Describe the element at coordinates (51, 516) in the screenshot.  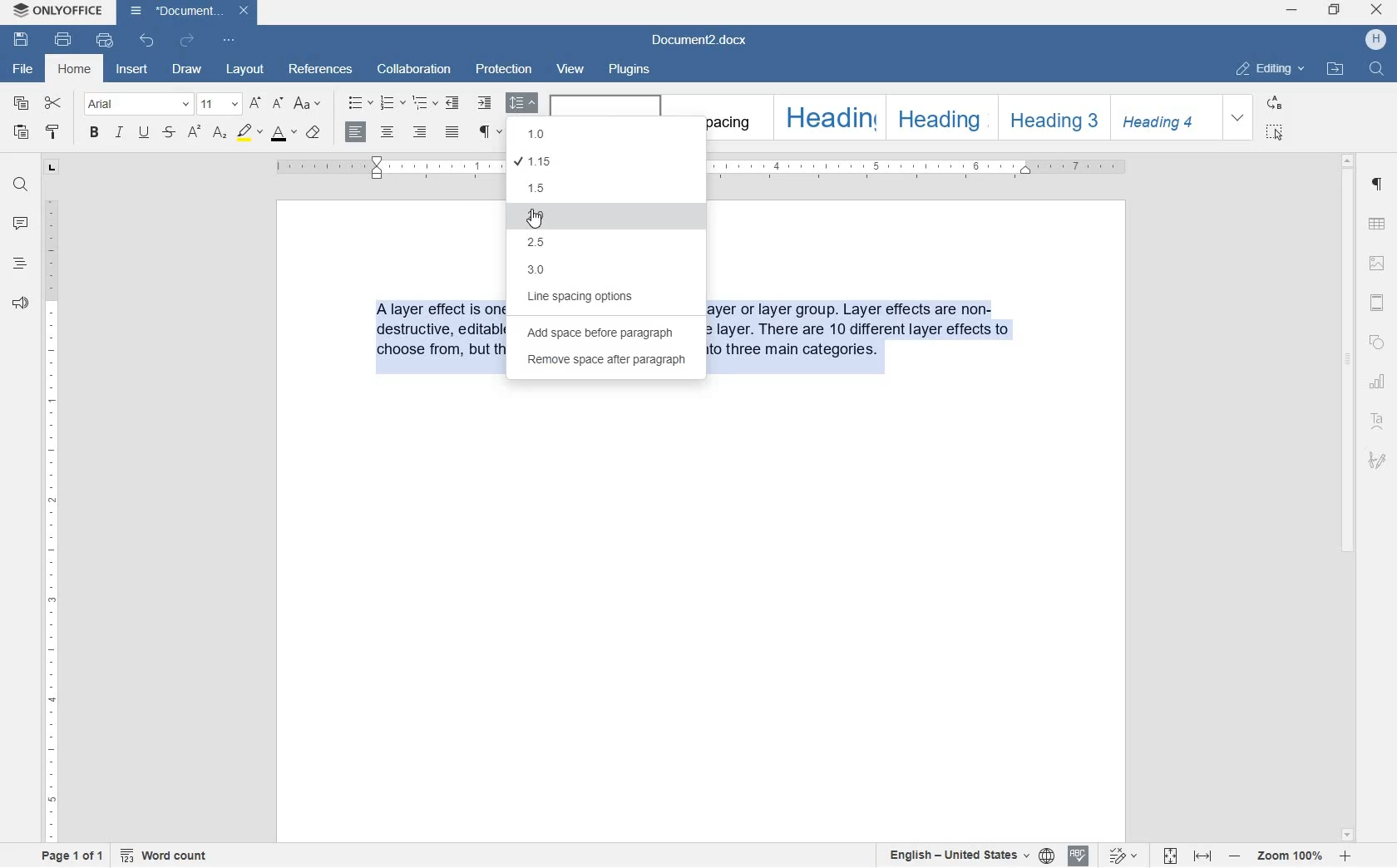
I see `ruler` at that location.